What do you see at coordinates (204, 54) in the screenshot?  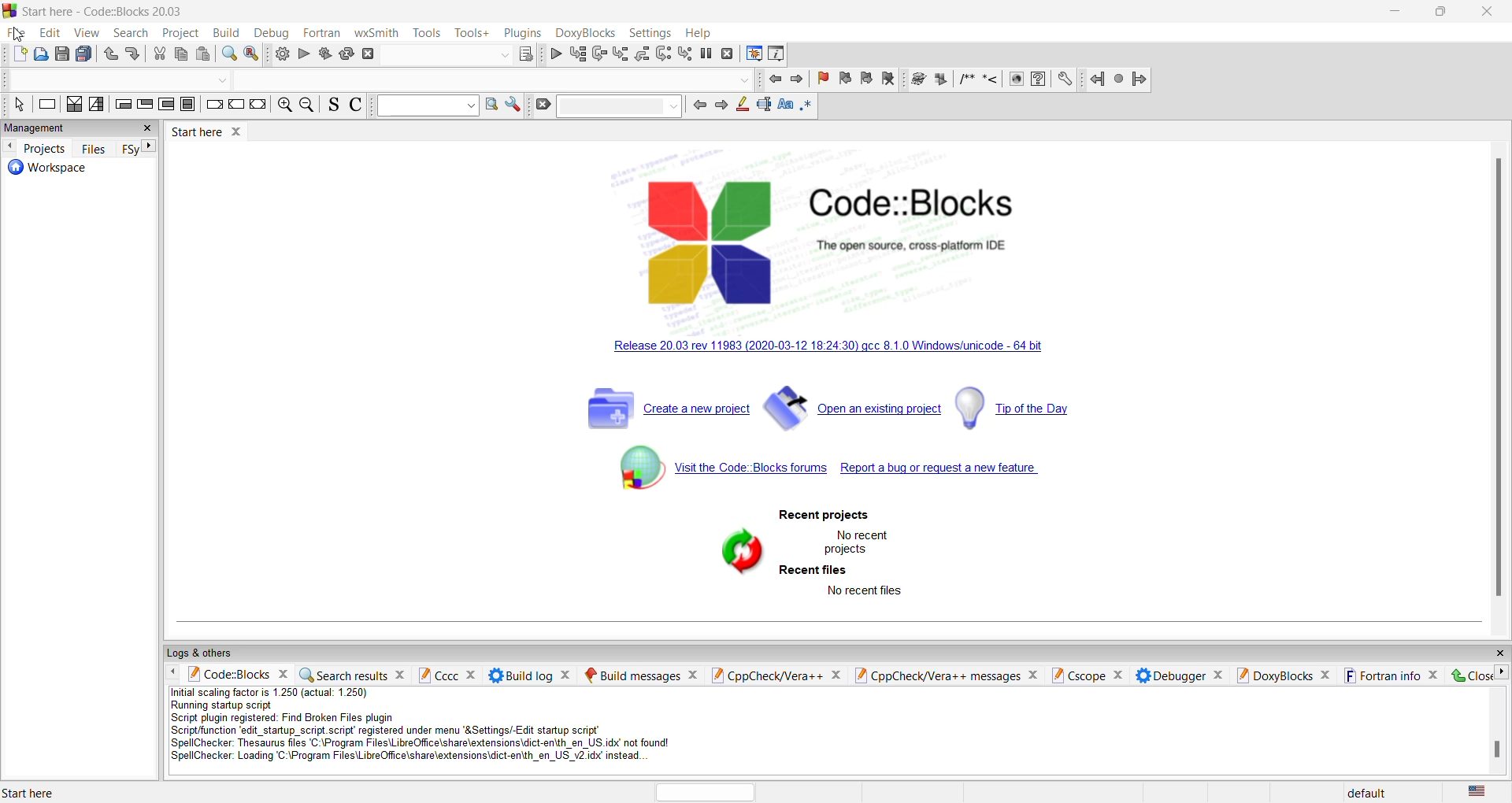 I see `paste` at bounding box center [204, 54].